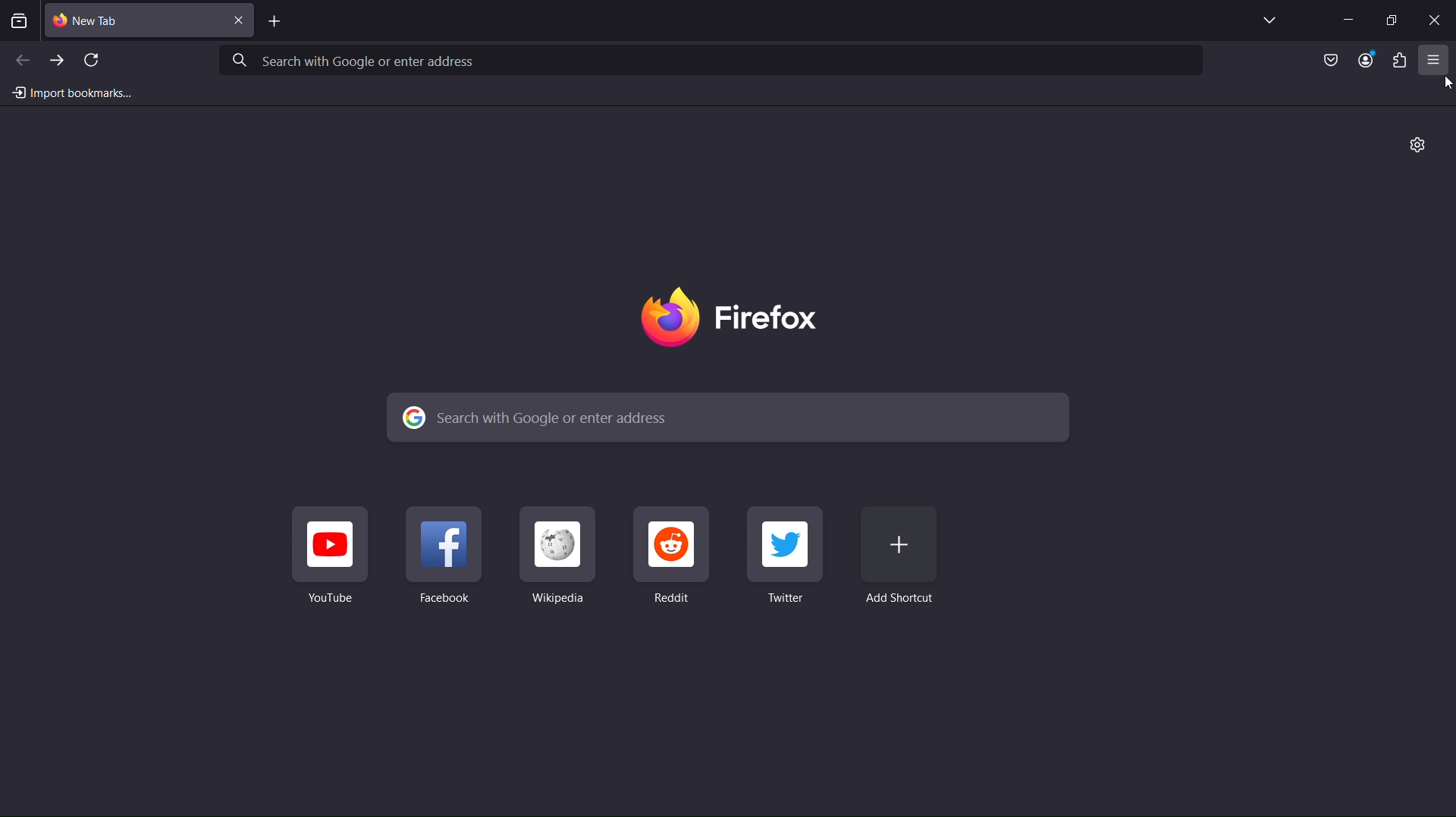 Image resolution: width=1456 pixels, height=817 pixels. What do you see at coordinates (332, 555) in the screenshot?
I see `Youtube Shortcut` at bounding box center [332, 555].